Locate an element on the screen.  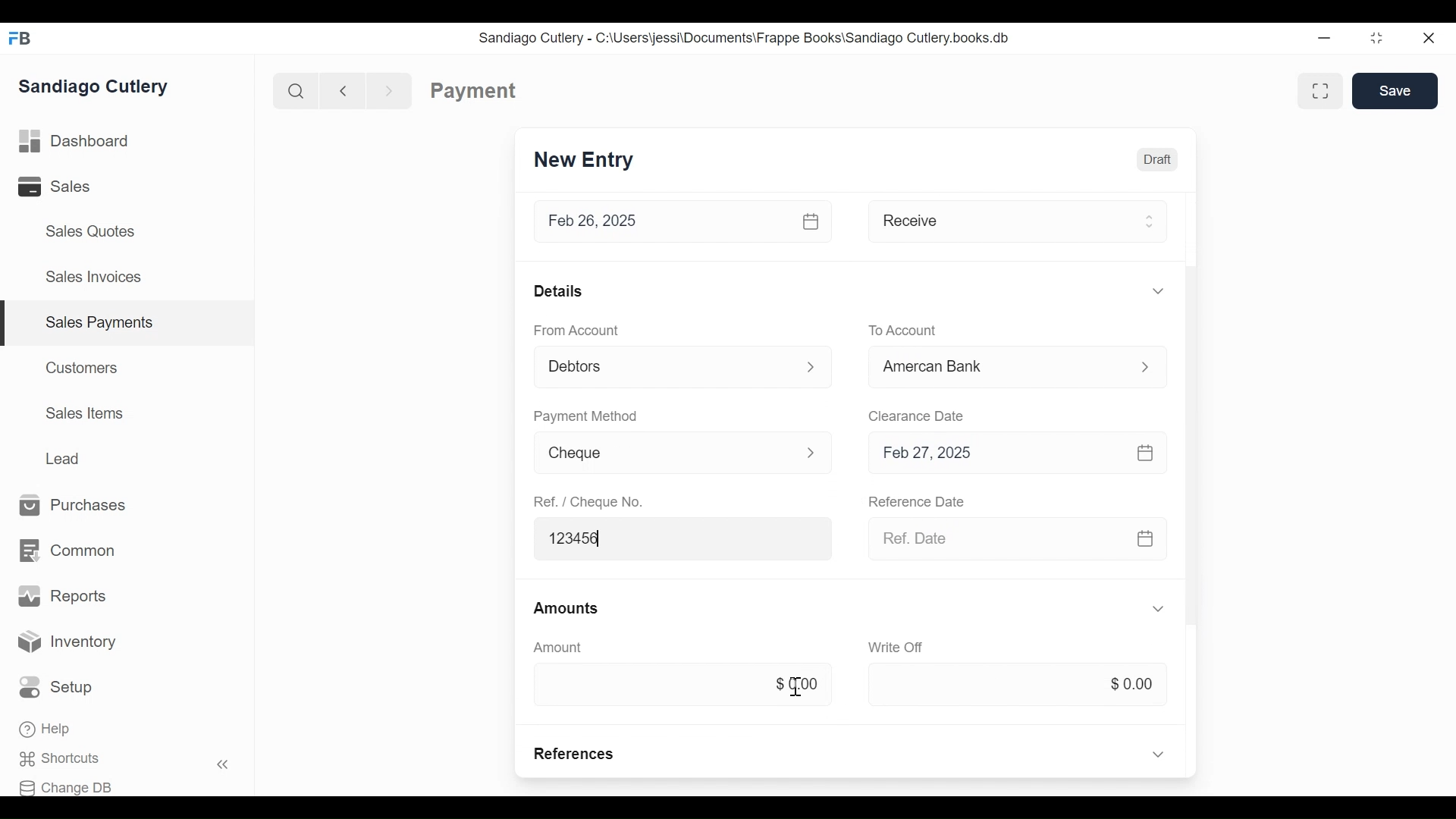
Setup is located at coordinates (60, 688).